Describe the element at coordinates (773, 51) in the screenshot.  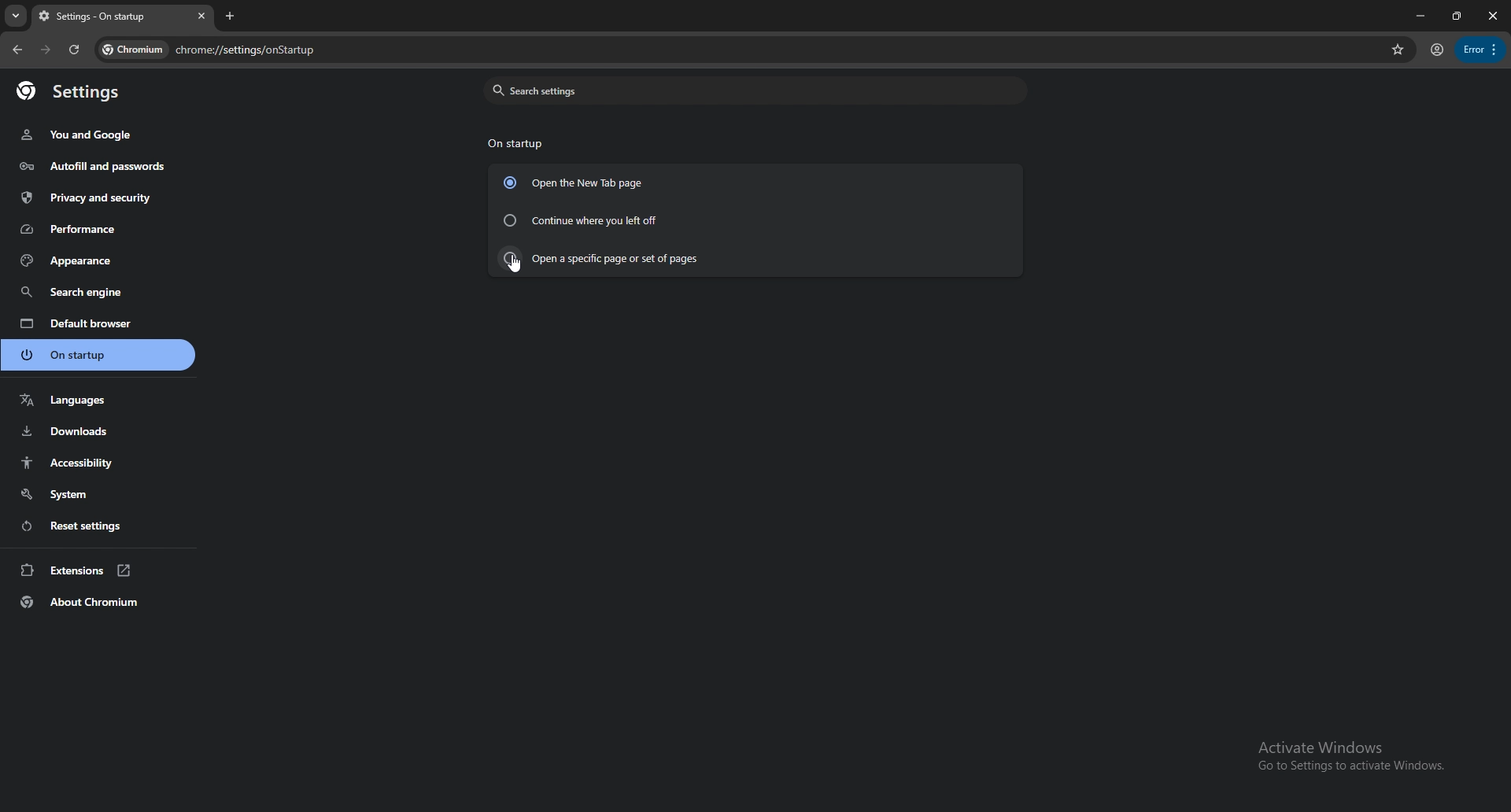
I see `search bar` at that location.